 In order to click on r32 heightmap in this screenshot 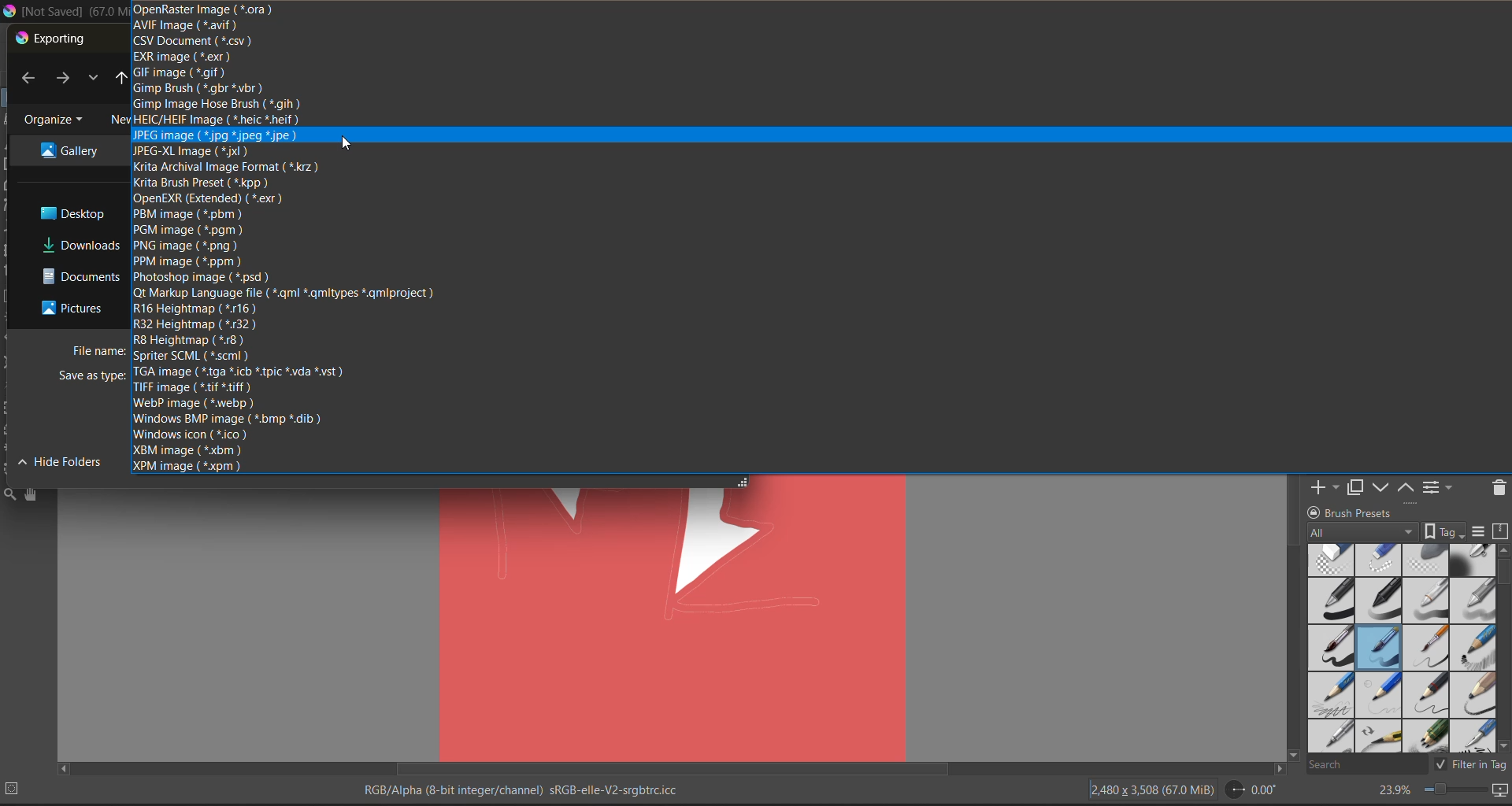, I will do `click(195, 324)`.